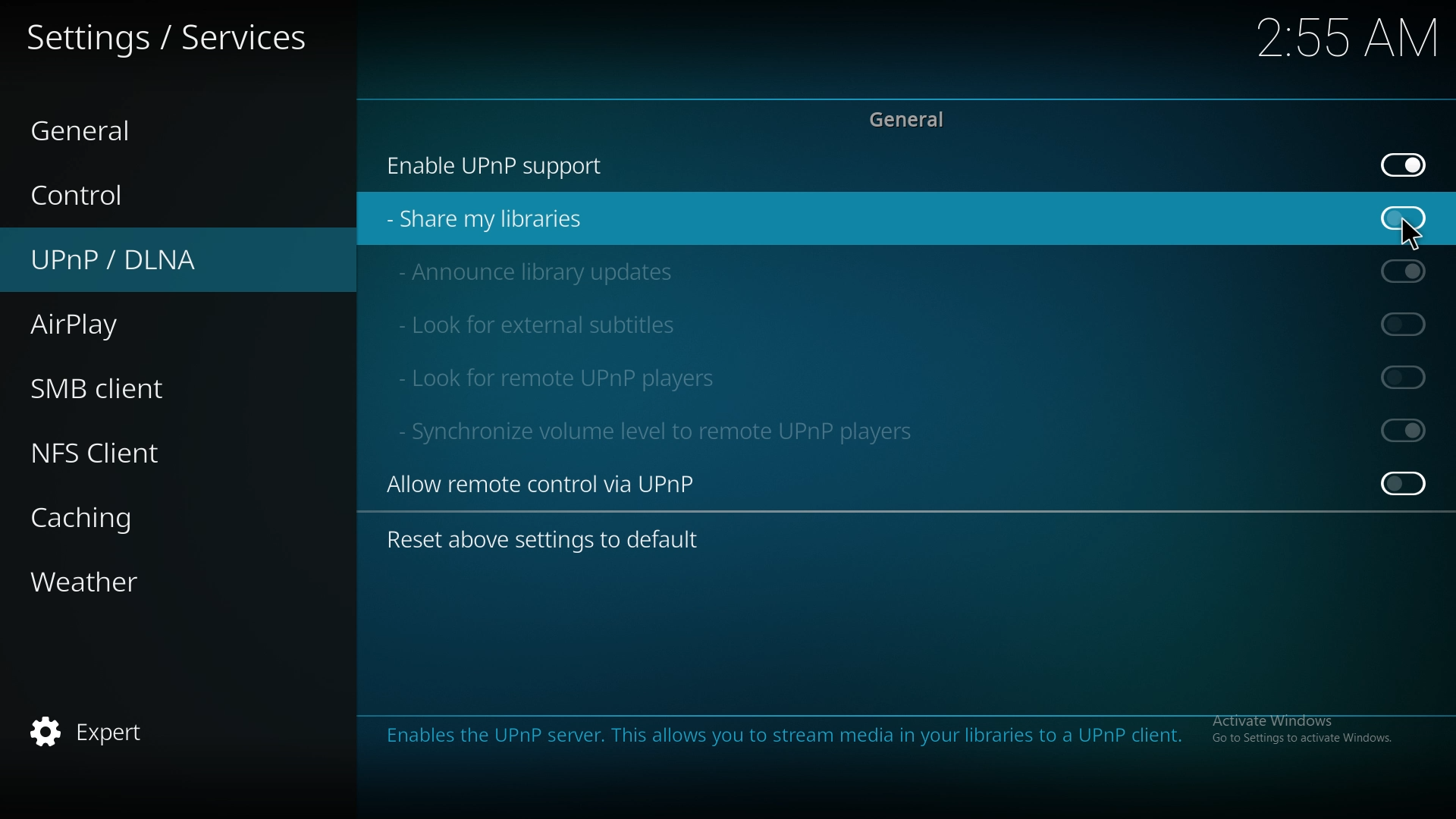  Describe the element at coordinates (560, 376) in the screenshot. I see `look for remote upnp players` at that location.